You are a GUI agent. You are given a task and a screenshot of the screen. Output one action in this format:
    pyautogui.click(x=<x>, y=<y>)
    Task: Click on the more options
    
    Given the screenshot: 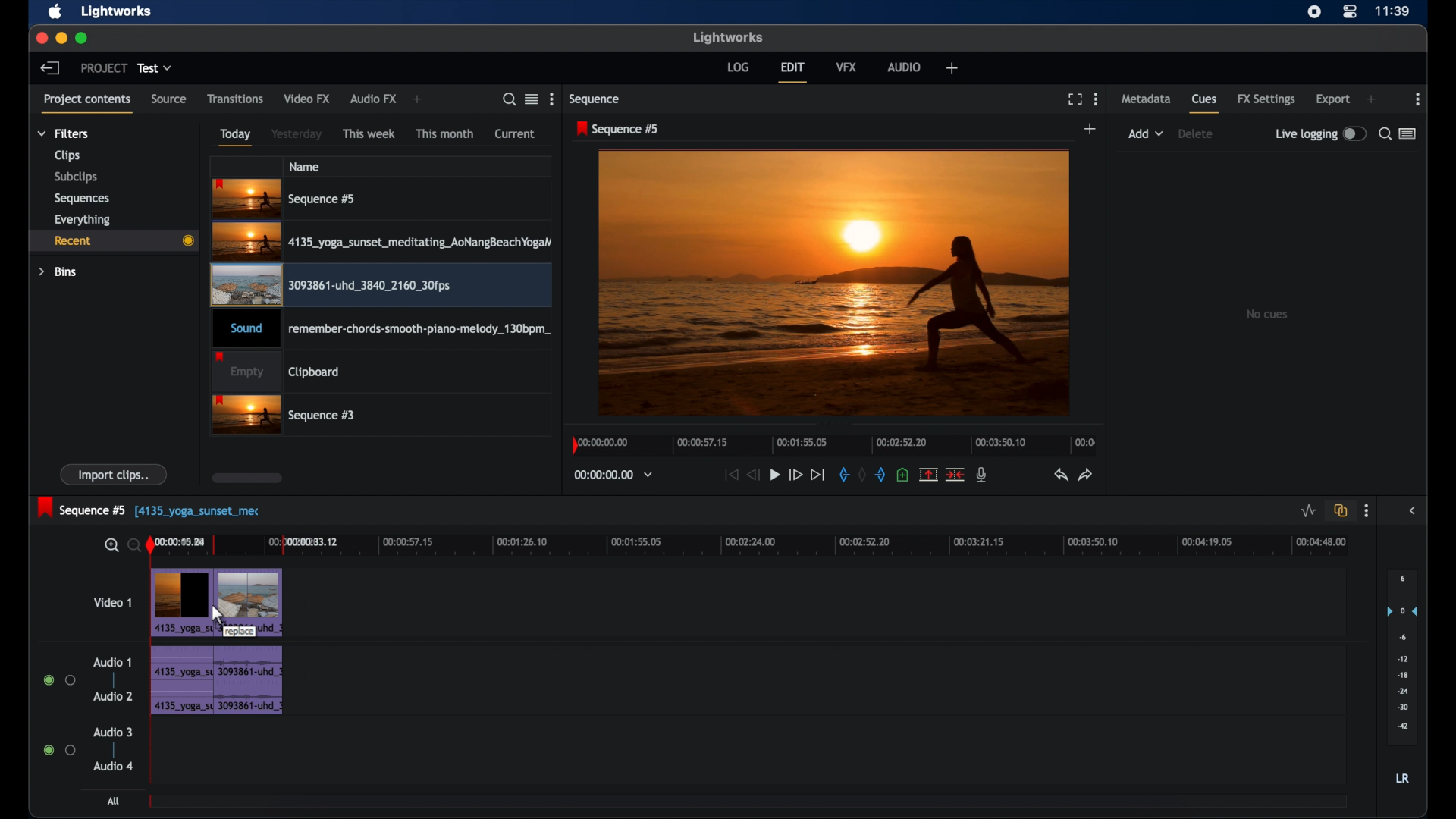 What is the action you would take?
    pyautogui.click(x=1367, y=512)
    